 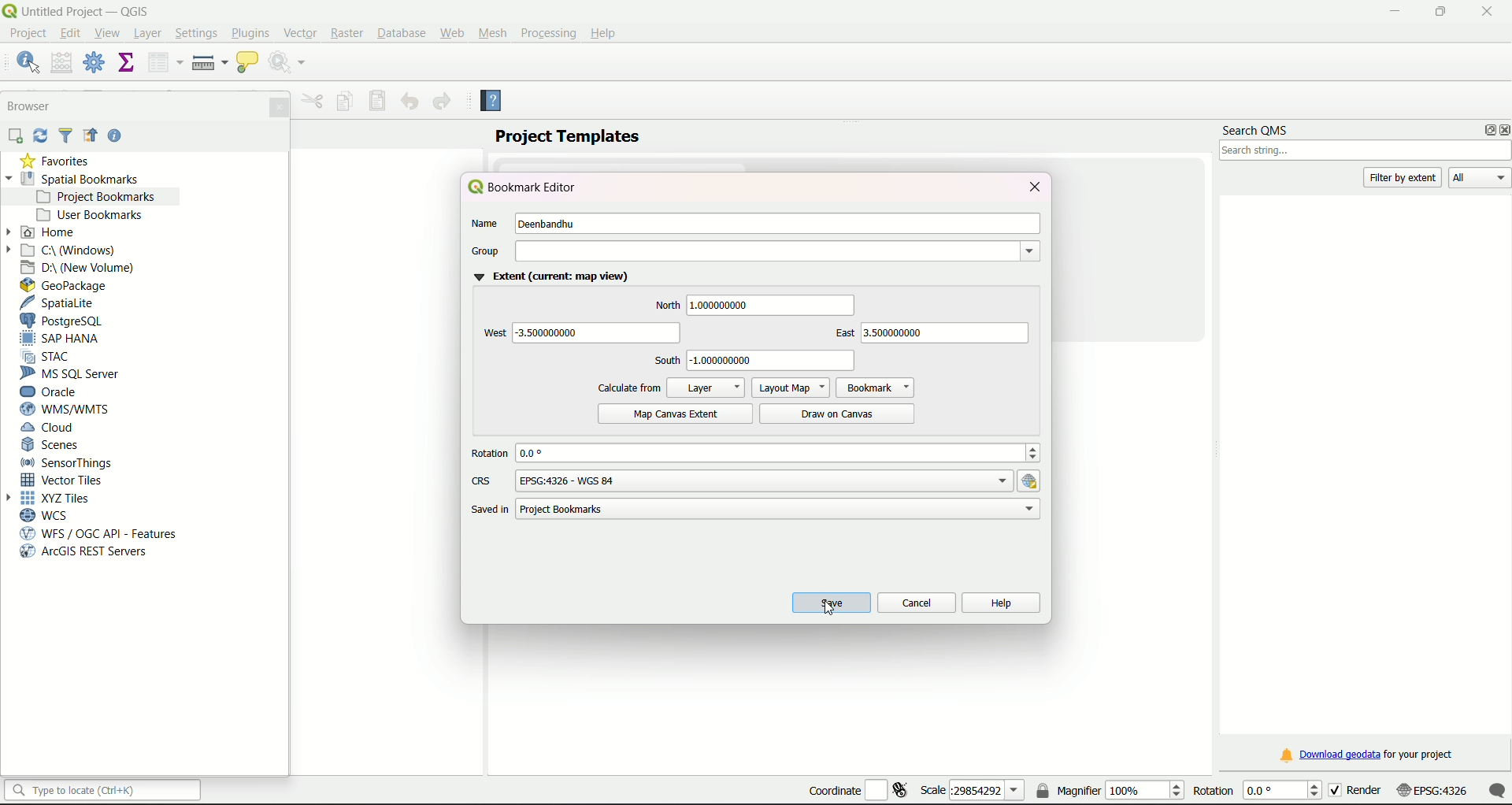 What do you see at coordinates (11, 232) in the screenshot?
I see `Arrow` at bounding box center [11, 232].